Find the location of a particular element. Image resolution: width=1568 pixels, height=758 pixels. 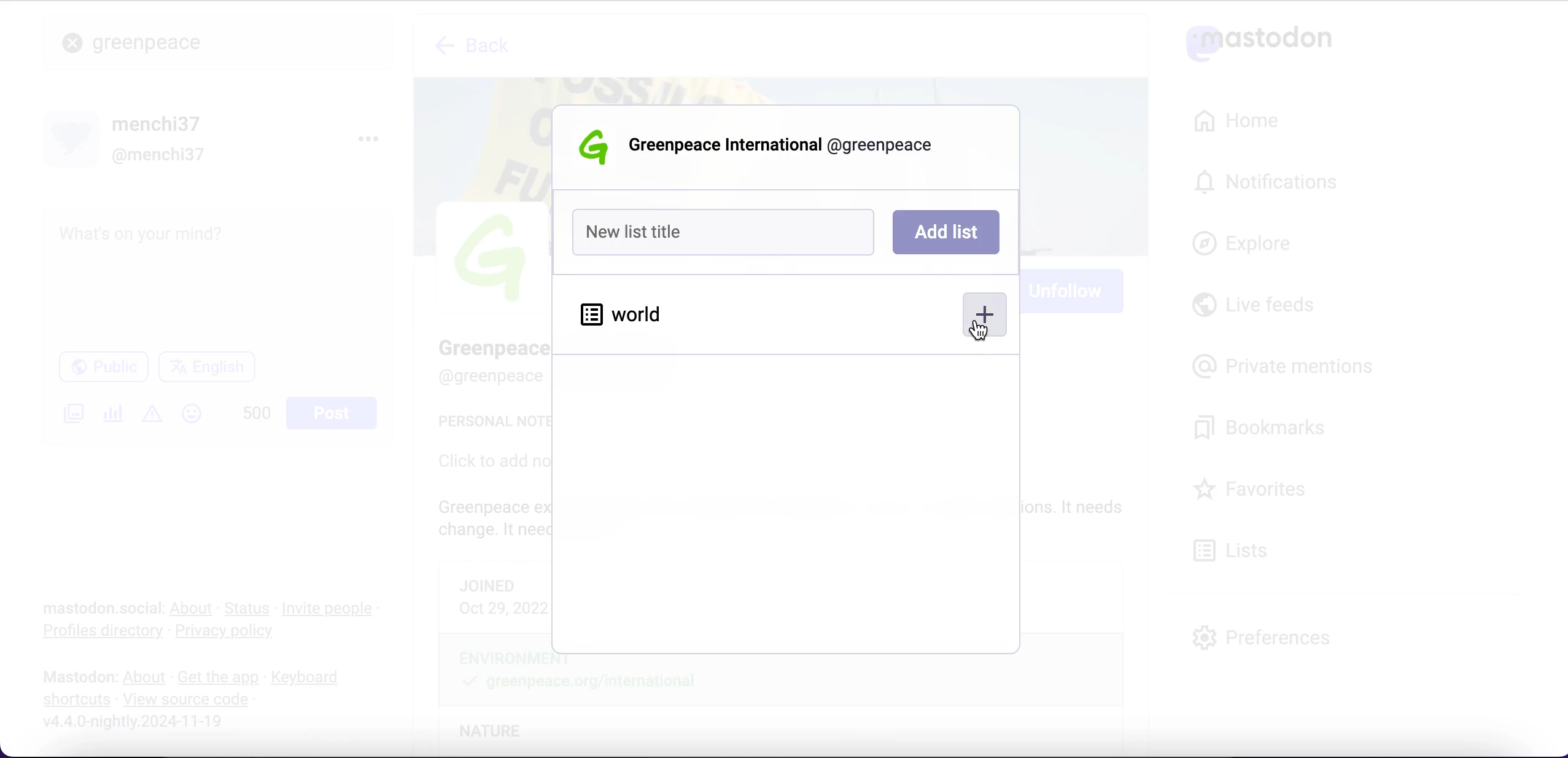

greenpeace is located at coordinates (153, 42).